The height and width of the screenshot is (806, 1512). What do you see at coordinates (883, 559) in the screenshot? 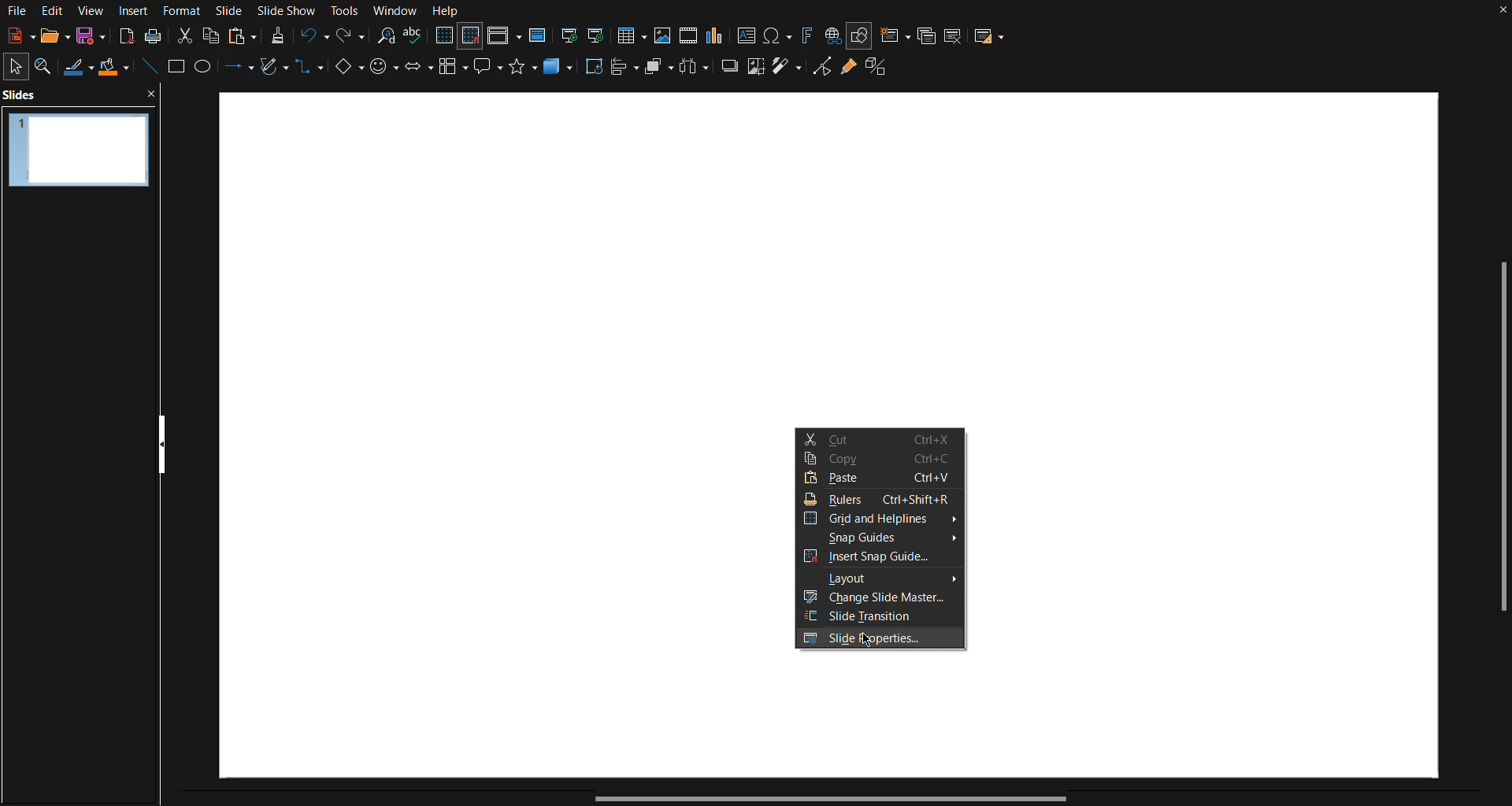
I see `Insert Snap Guide` at bounding box center [883, 559].